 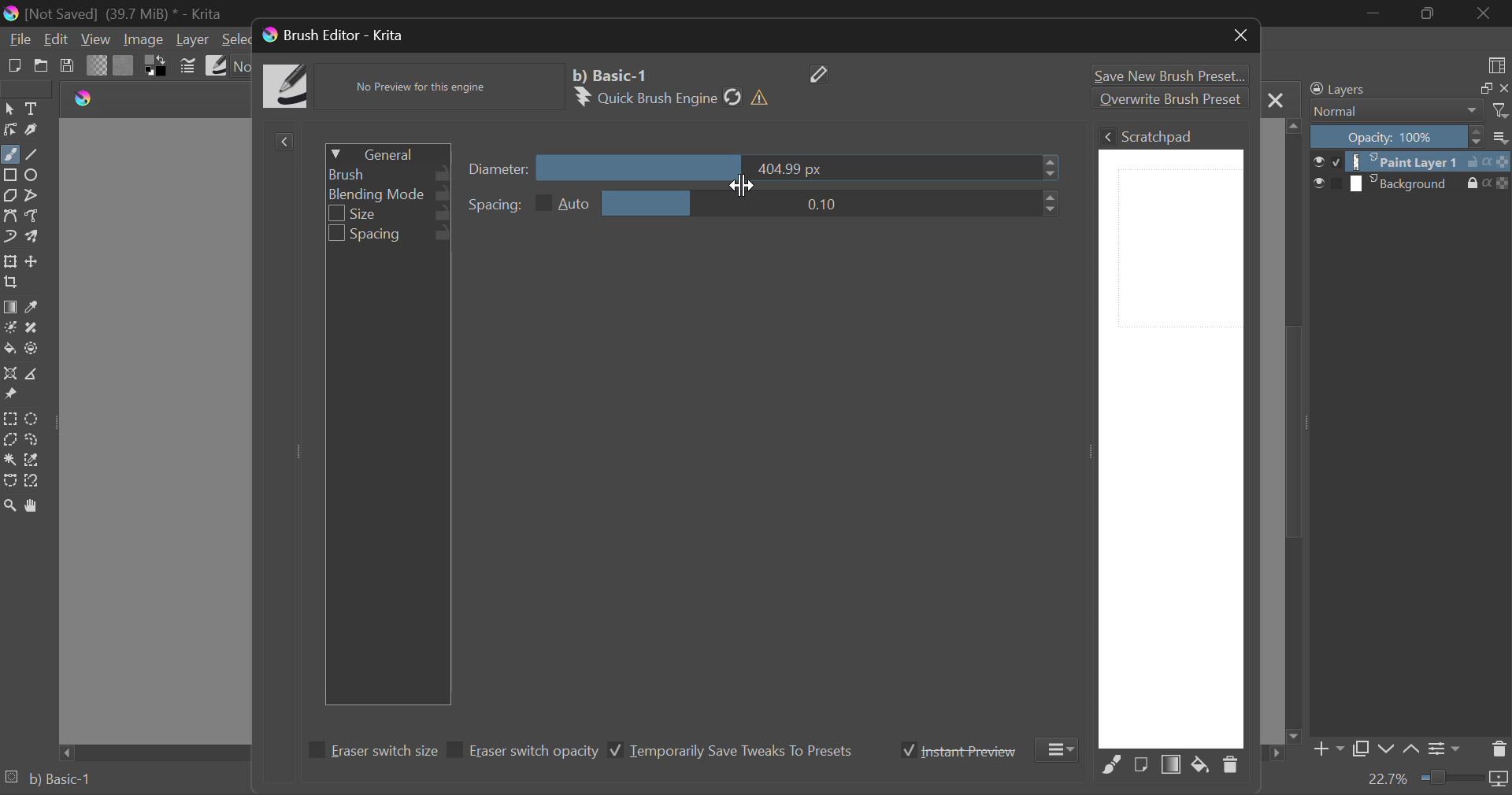 I want to click on Fill area with current Image, so click(x=1140, y=765).